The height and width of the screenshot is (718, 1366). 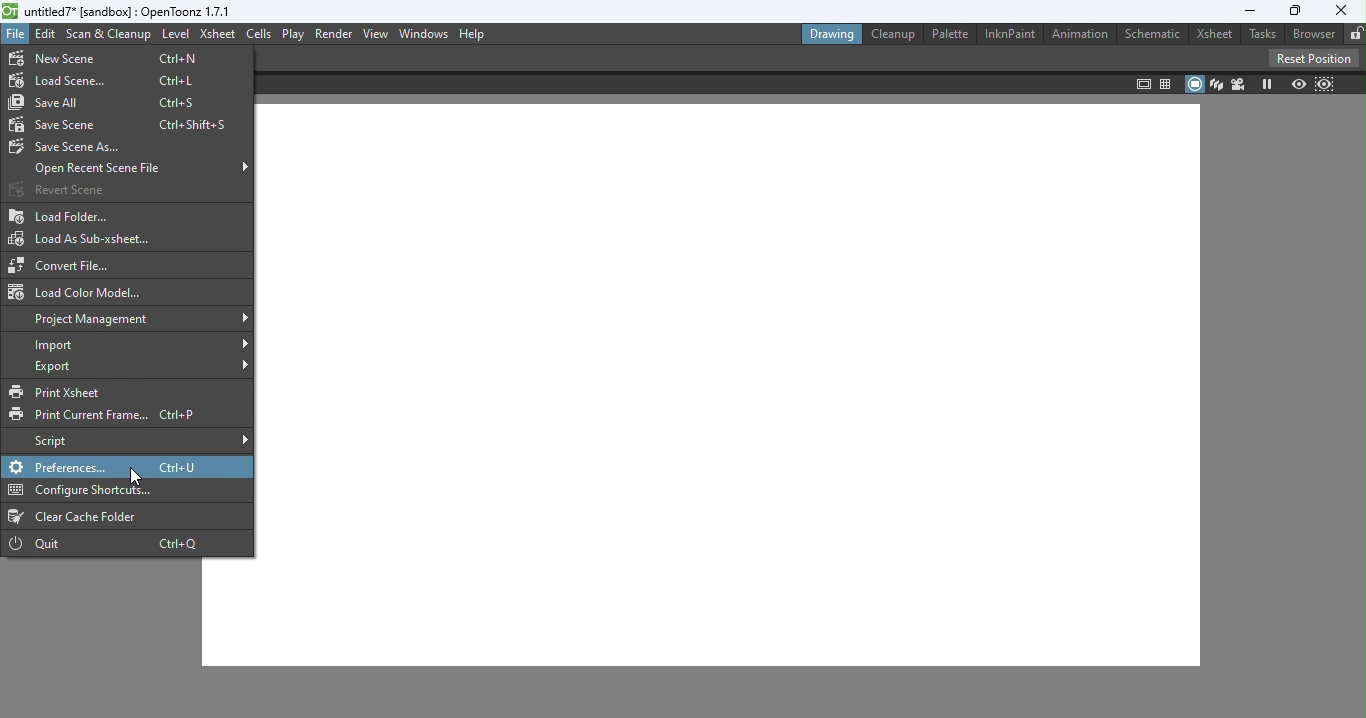 I want to click on View, so click(x=374, y=34).